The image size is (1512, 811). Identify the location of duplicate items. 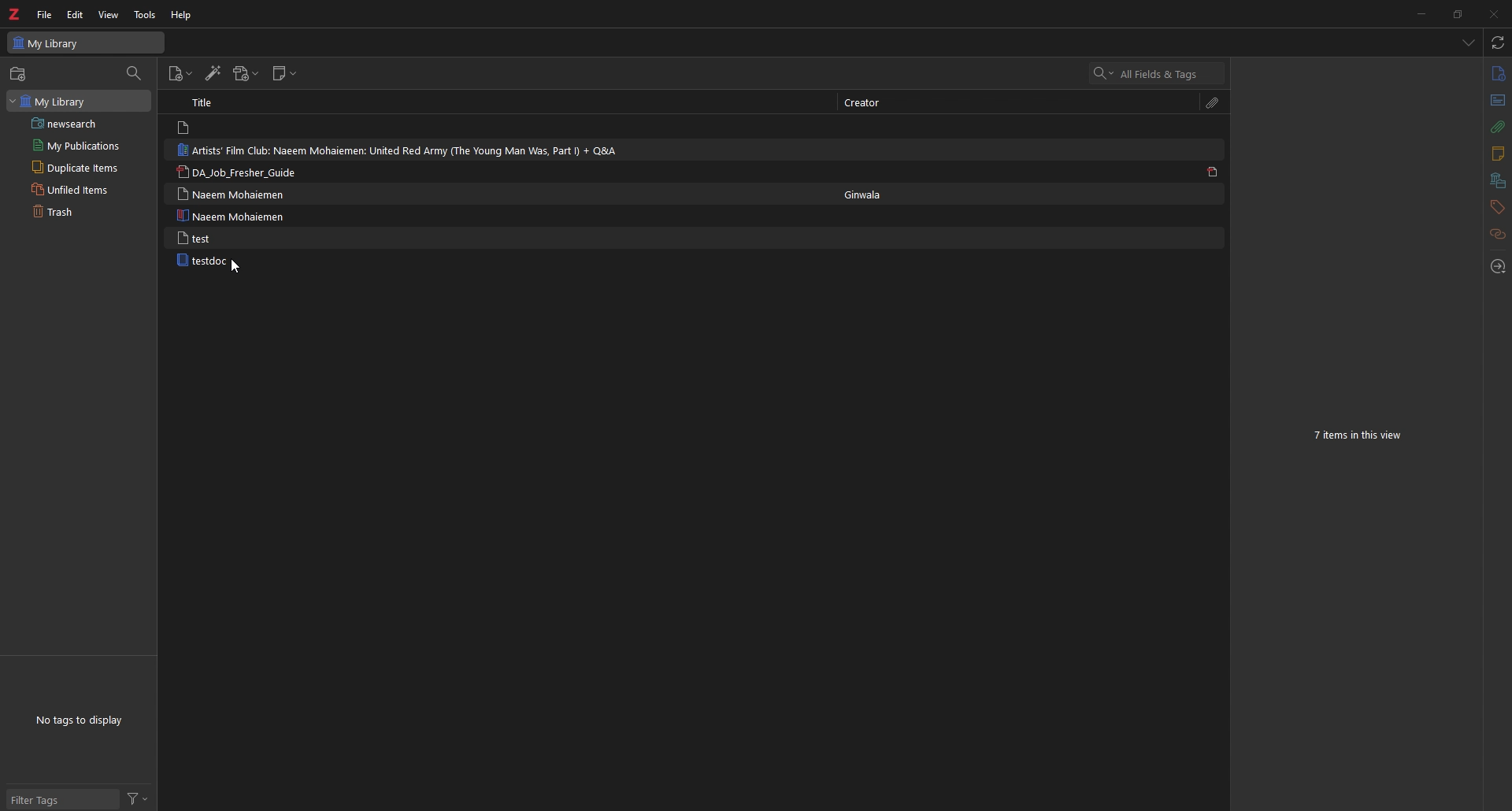
(72, 167).